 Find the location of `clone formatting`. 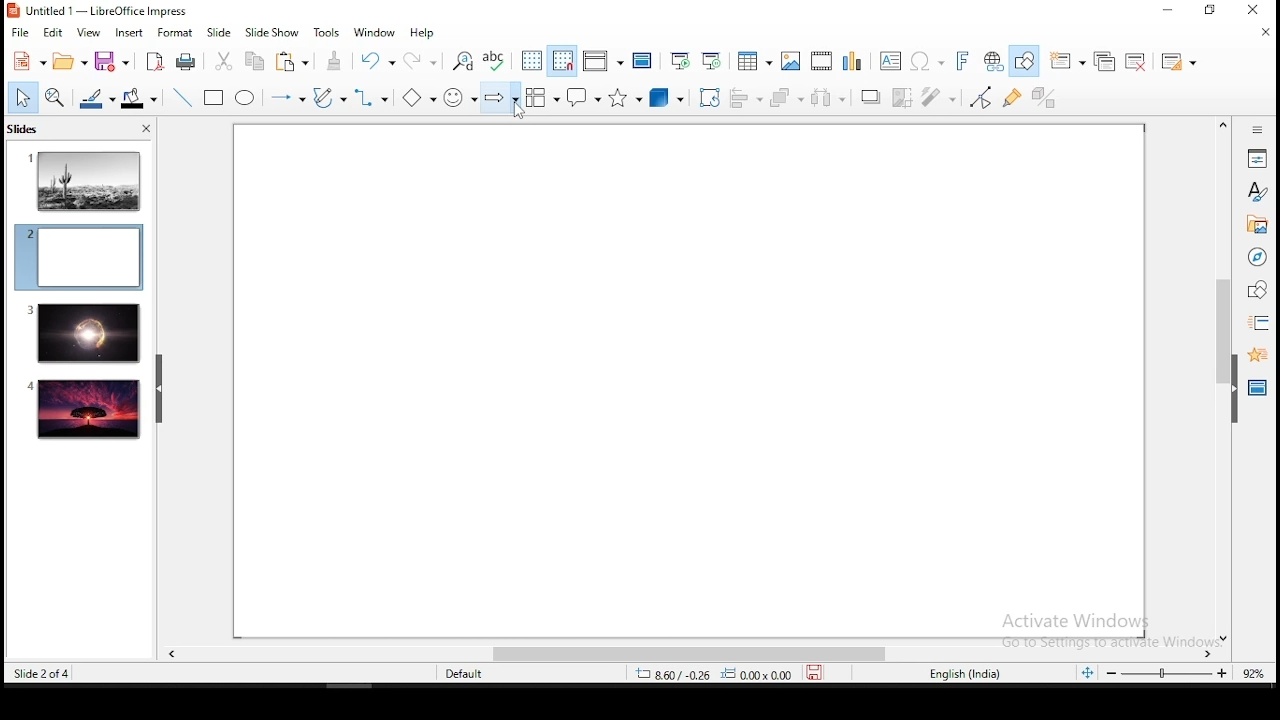

clone formatting is located at coordinates (335, 61).